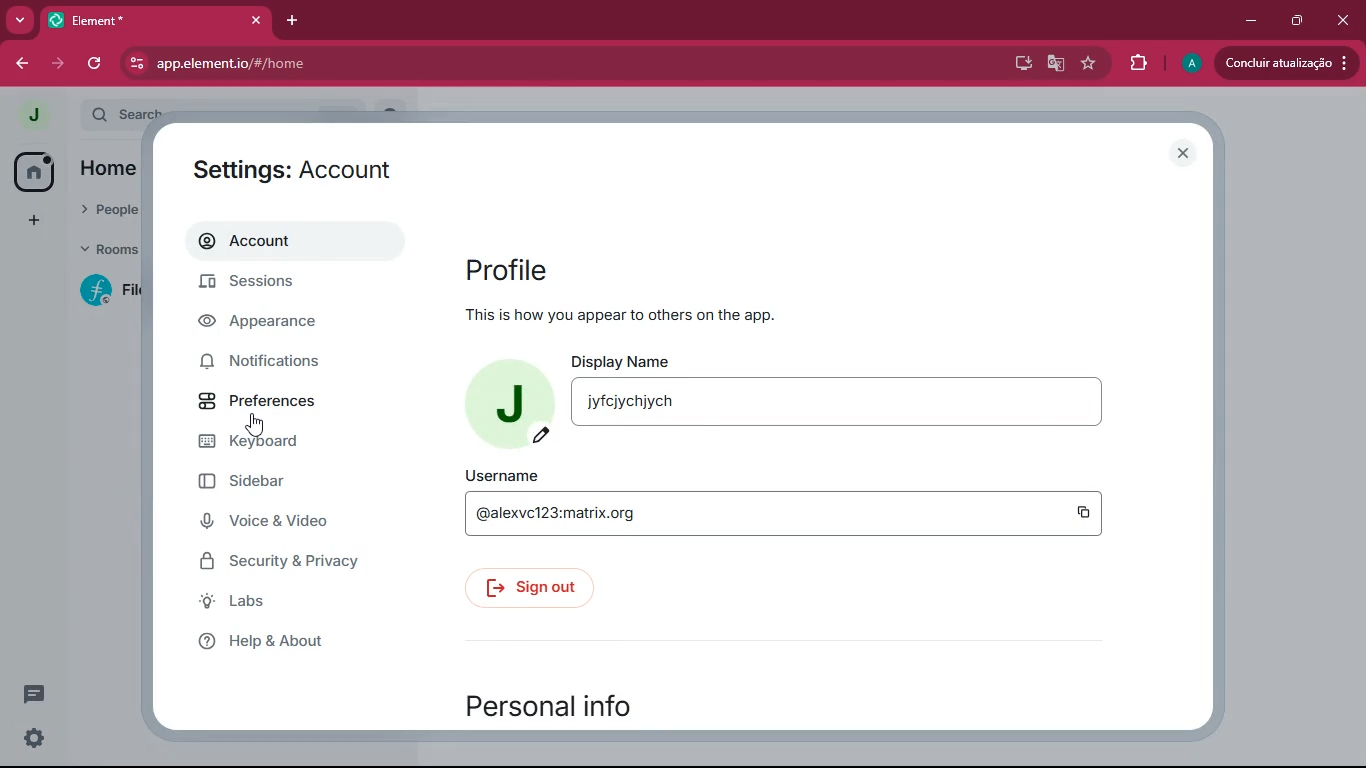  Describe the element at coordinates (511, 404) in the screenshot. I see `j` at that location.